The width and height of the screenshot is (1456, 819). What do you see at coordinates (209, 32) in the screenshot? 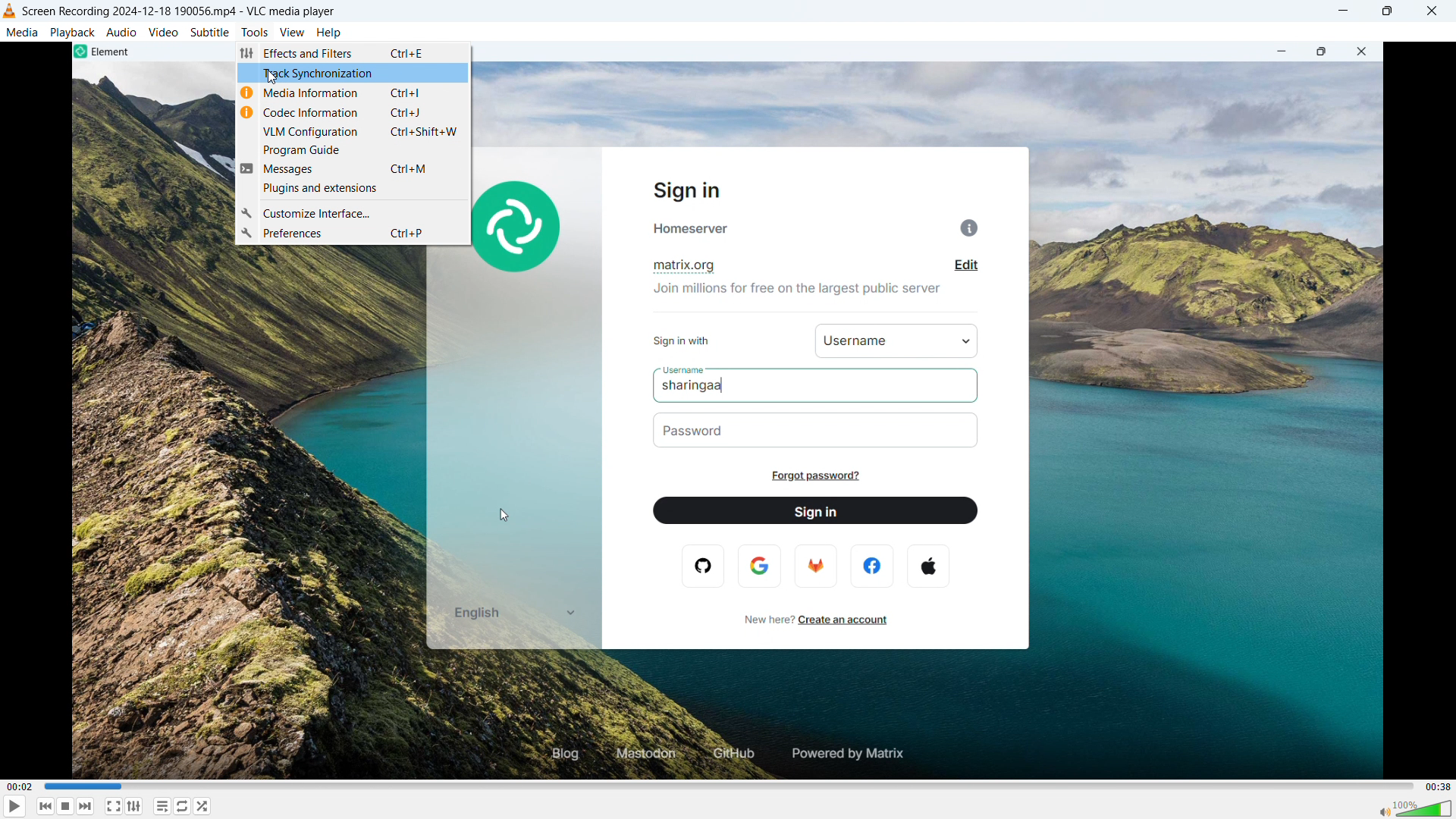
I see `subtitle` at bounding box center [209, 32].